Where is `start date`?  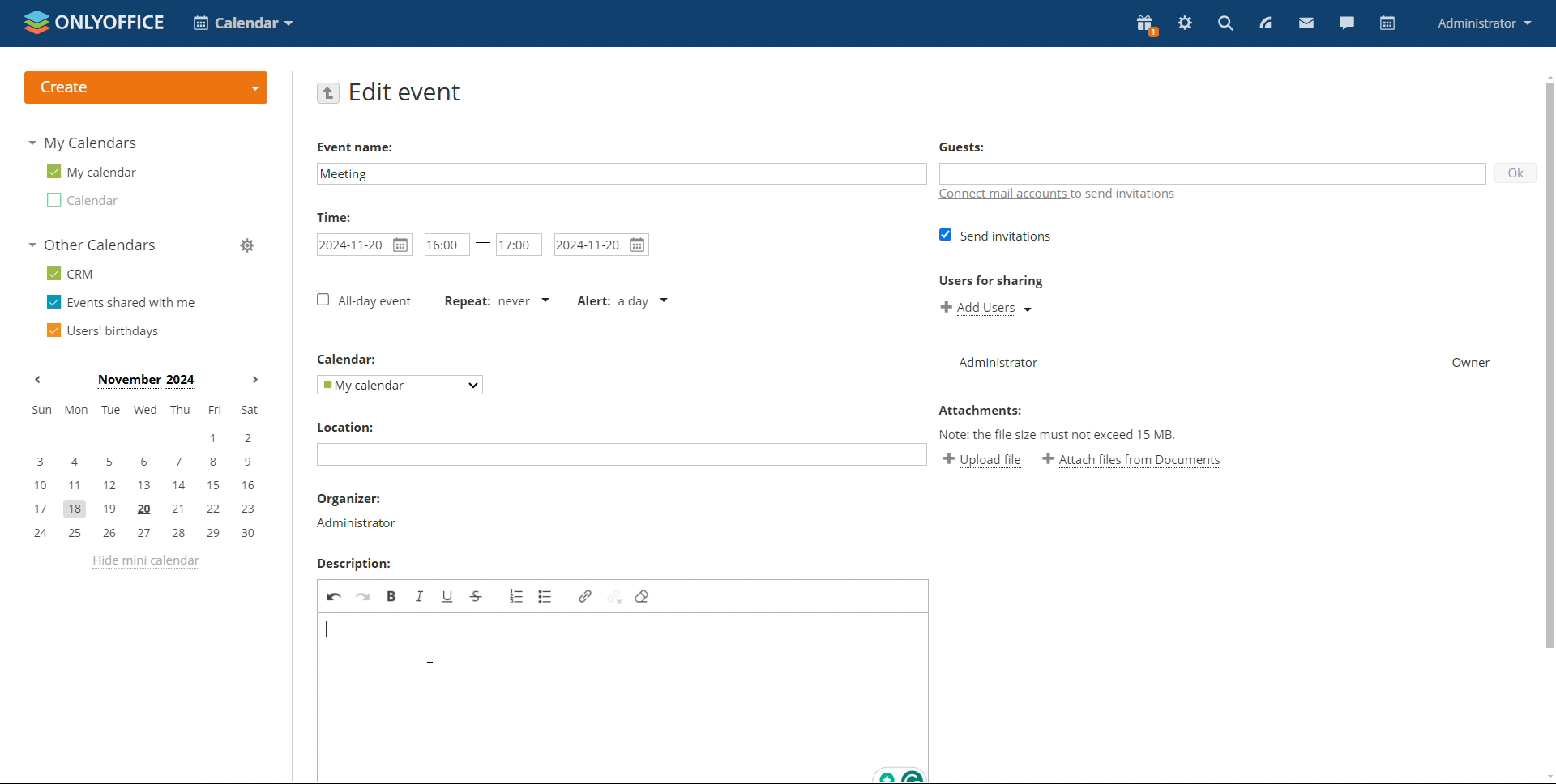 start date is located at coordinates (365, 245).